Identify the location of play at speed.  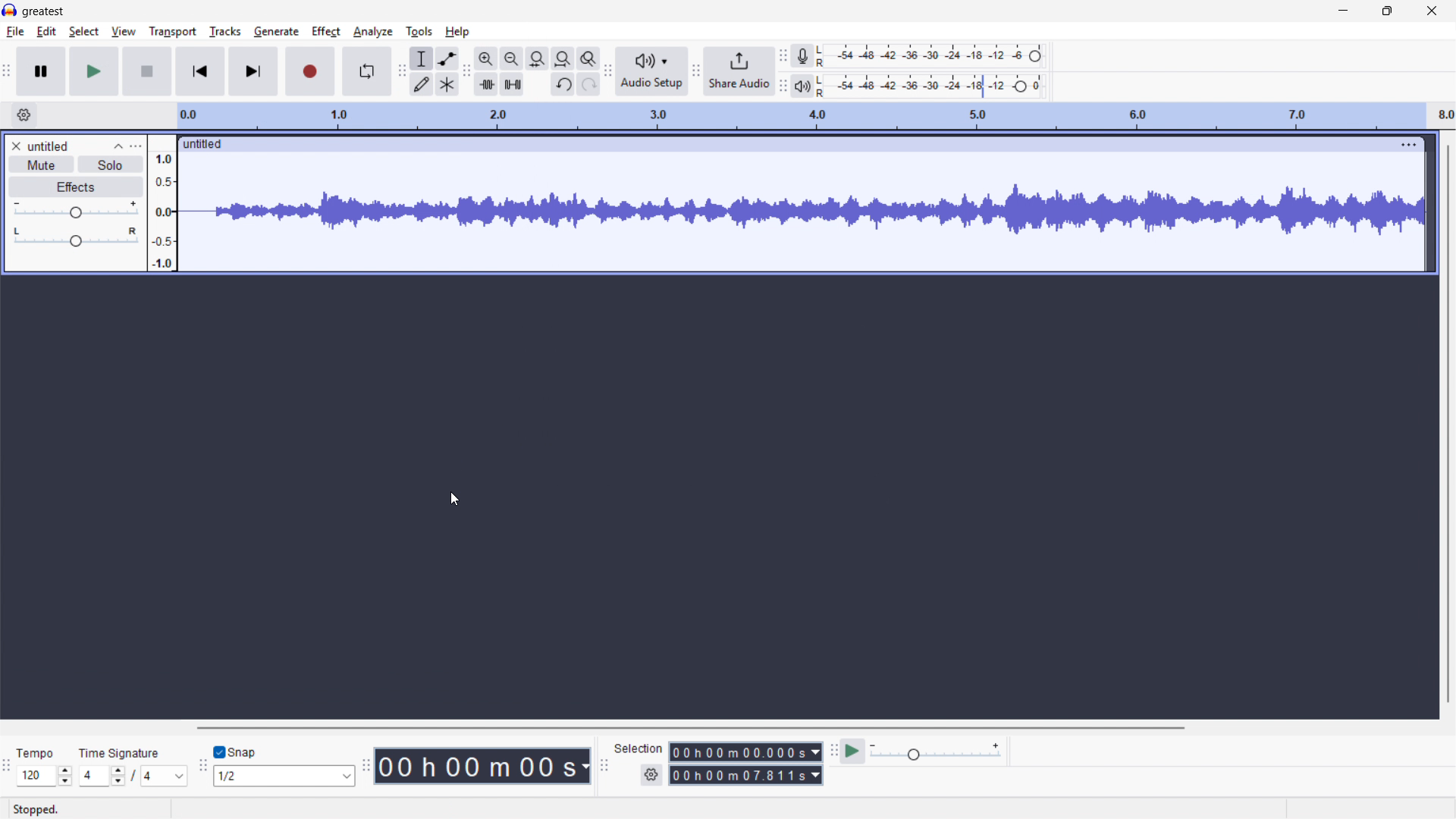
(853, 752).